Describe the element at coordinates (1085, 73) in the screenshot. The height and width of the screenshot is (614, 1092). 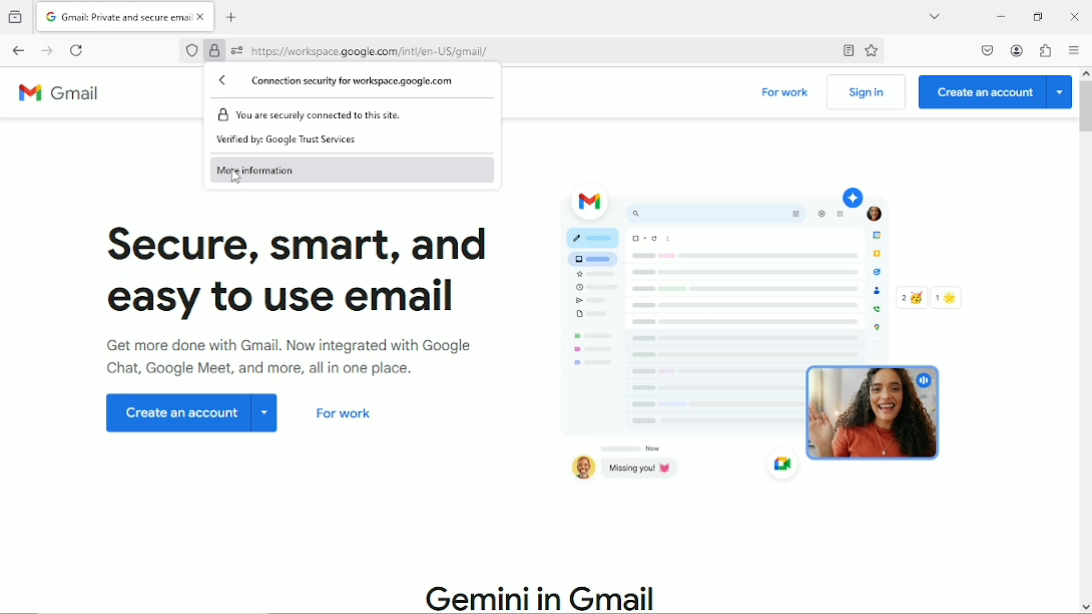
I see `move up` at that location.